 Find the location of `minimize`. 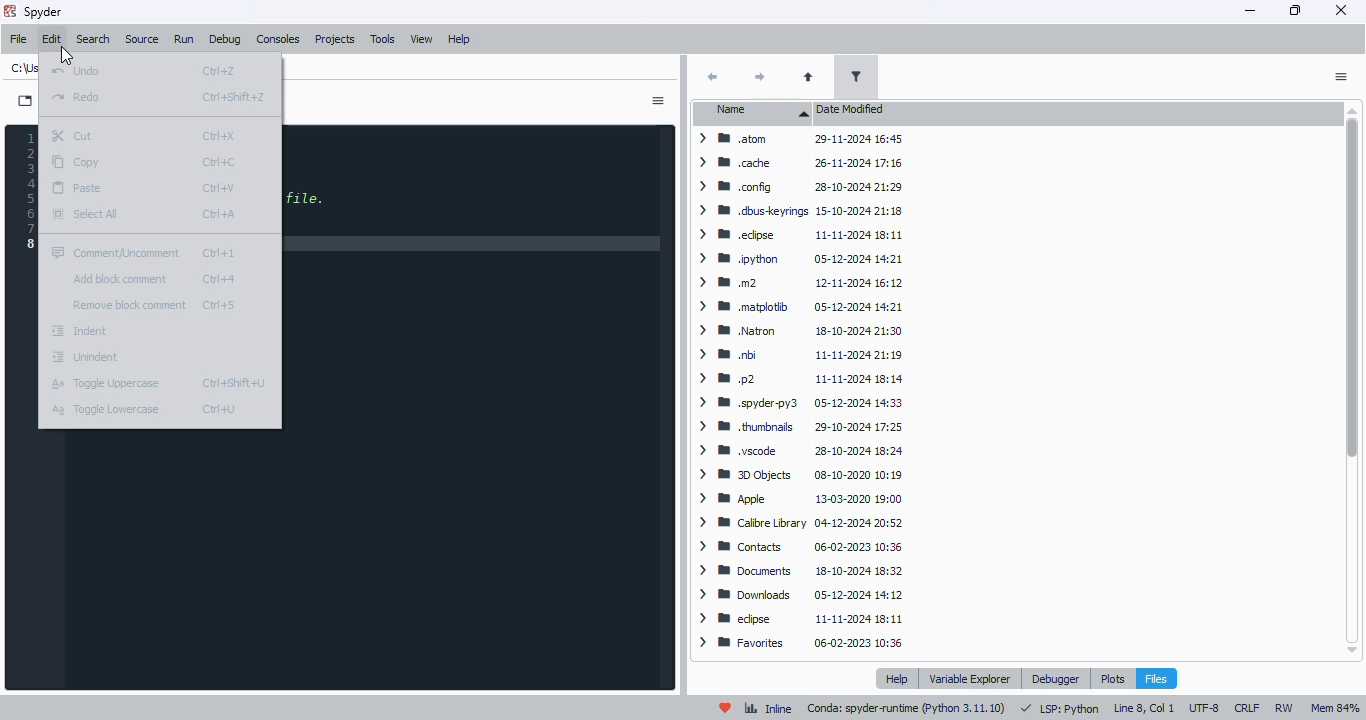

minimize is located at coordinates (1251, 9).